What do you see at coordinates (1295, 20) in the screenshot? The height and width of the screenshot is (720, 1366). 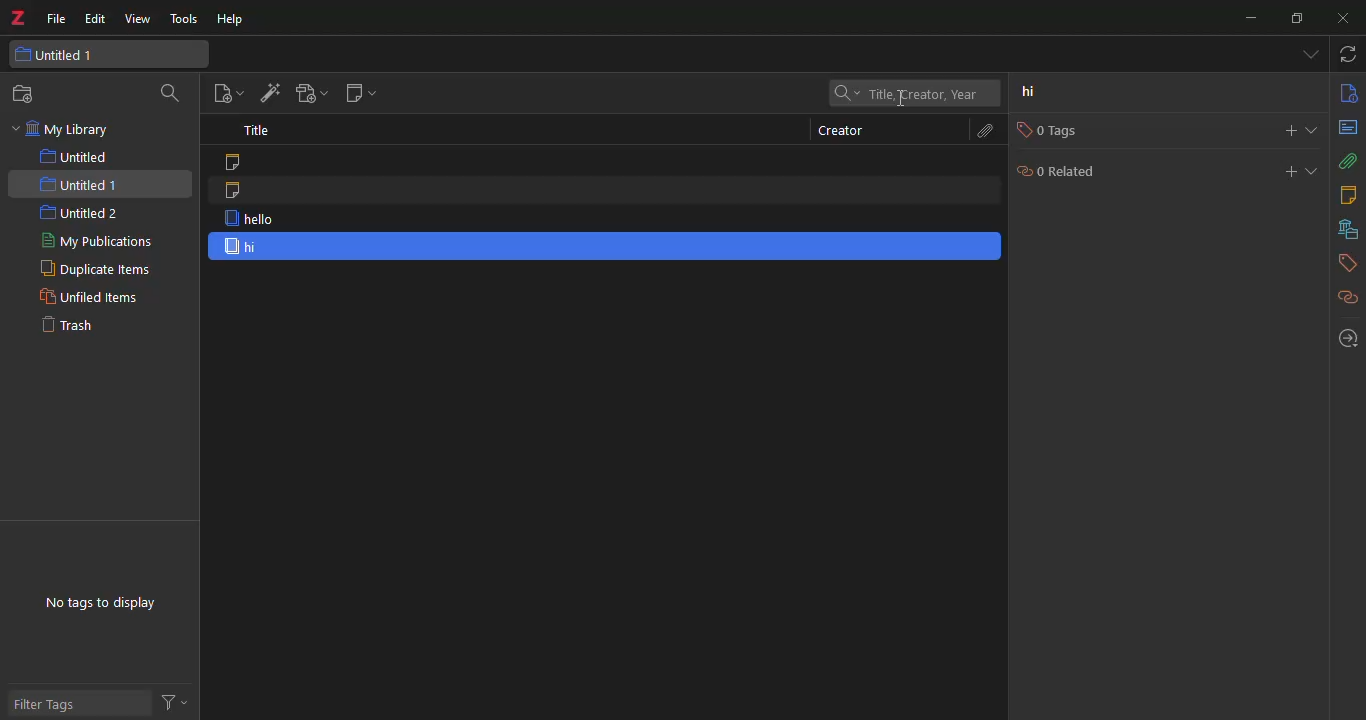 I see `maximize` at bounding box center [1295, 20].